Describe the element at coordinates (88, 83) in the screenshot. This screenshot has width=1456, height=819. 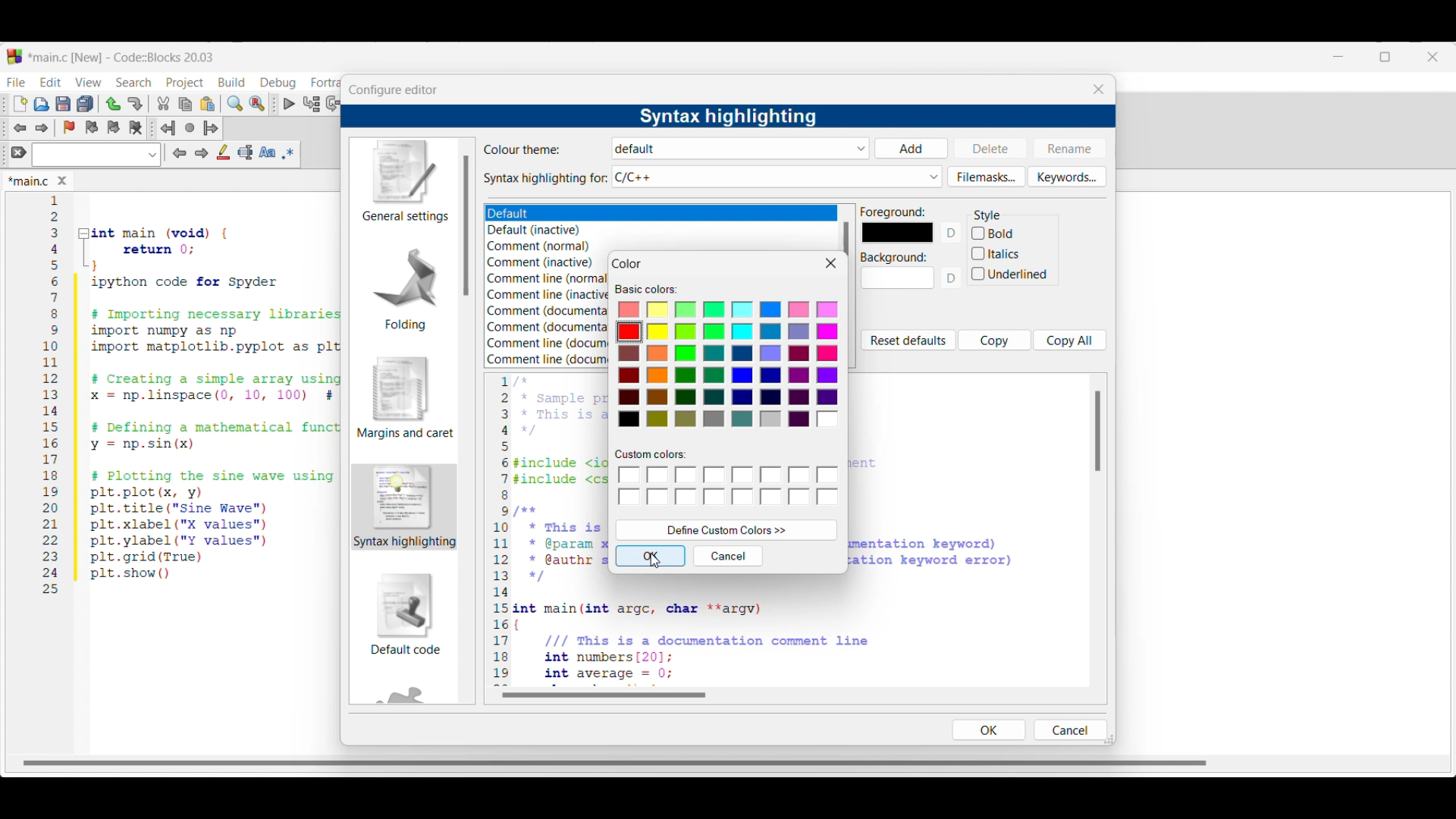
I see `View menu` at that location.